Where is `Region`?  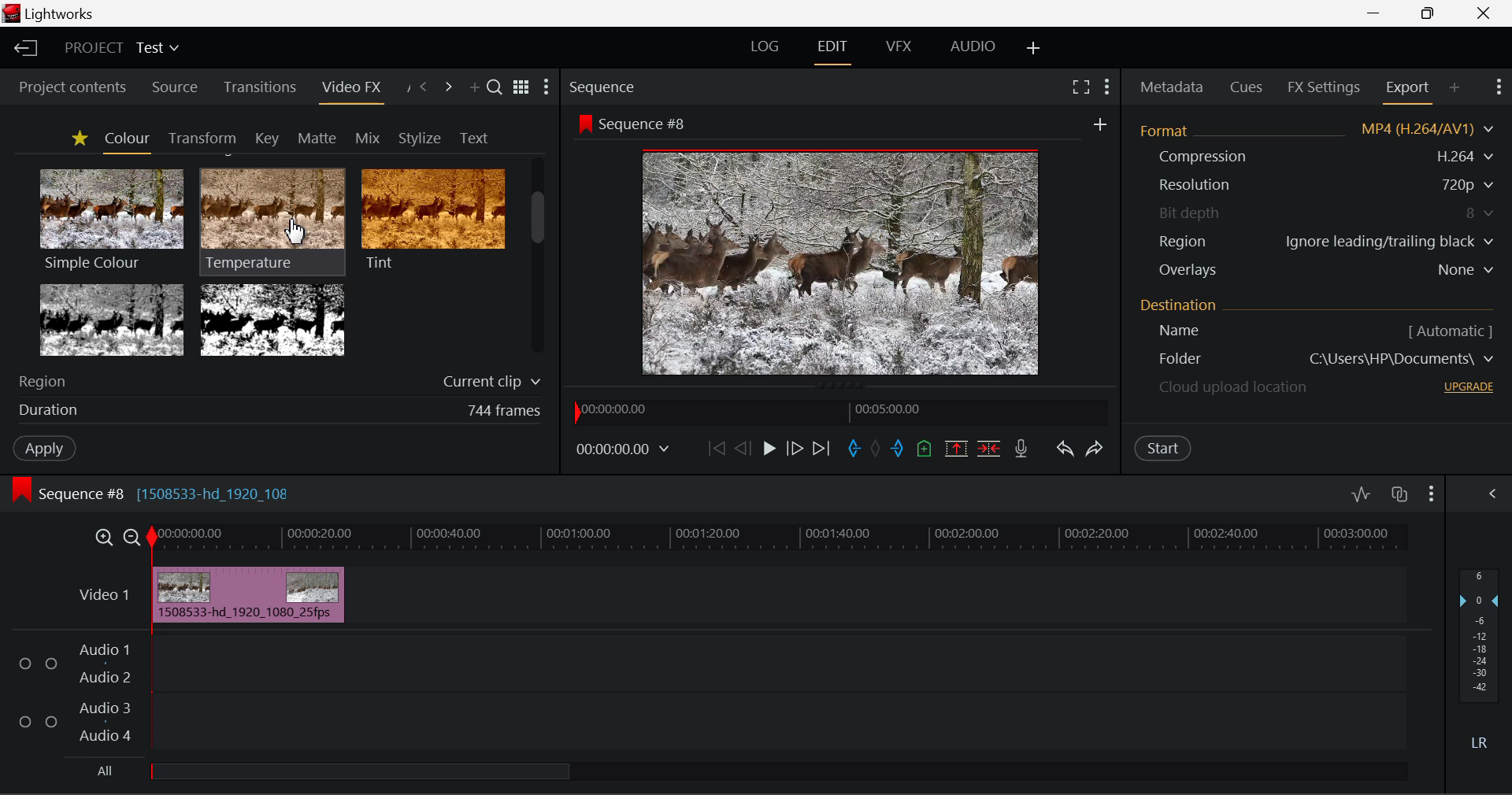
Region is located at coordinates (46, 380).